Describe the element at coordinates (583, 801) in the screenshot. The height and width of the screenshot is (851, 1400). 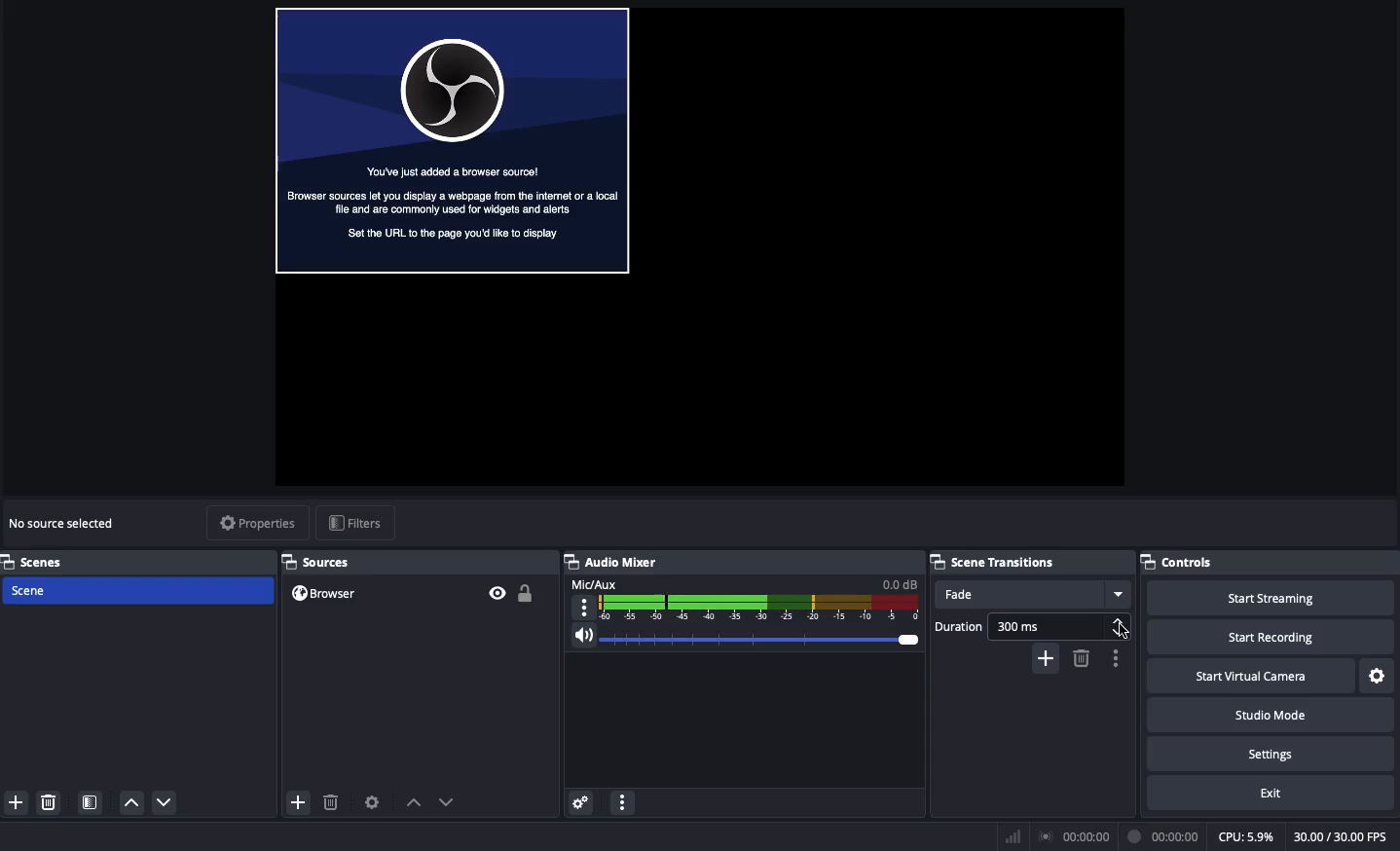
I see `Advanced audio menu` at that location.